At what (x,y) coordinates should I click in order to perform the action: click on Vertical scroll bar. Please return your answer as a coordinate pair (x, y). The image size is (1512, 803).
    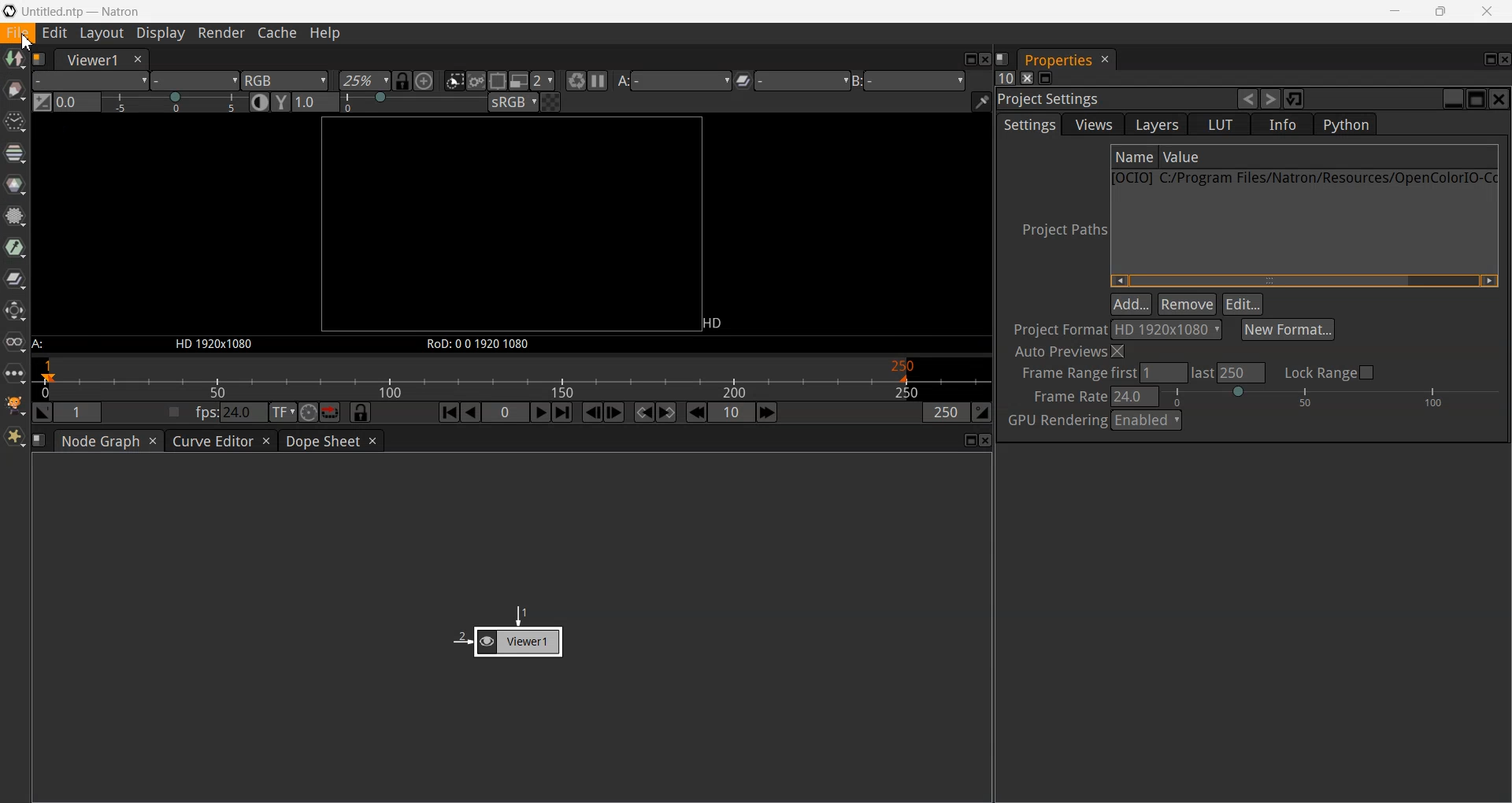
    Looking at the image, I should click on (1303, 280).